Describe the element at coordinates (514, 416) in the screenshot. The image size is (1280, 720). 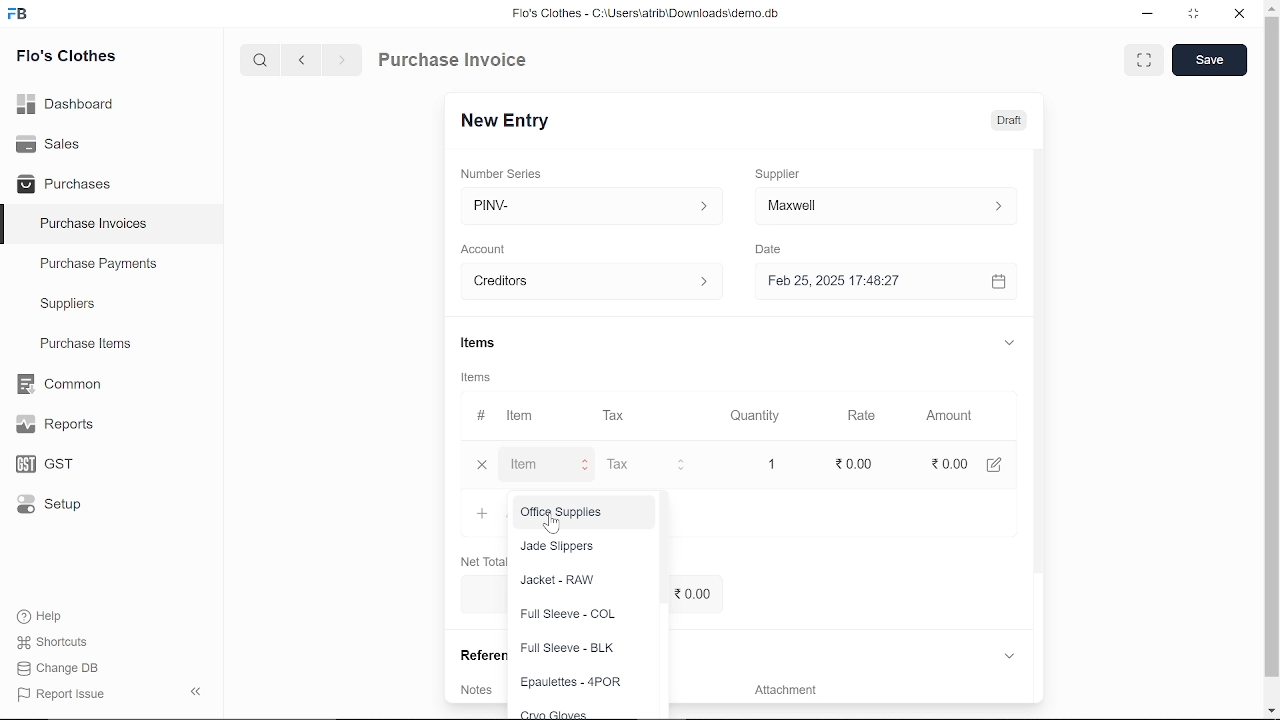
I see `Item` at that location.